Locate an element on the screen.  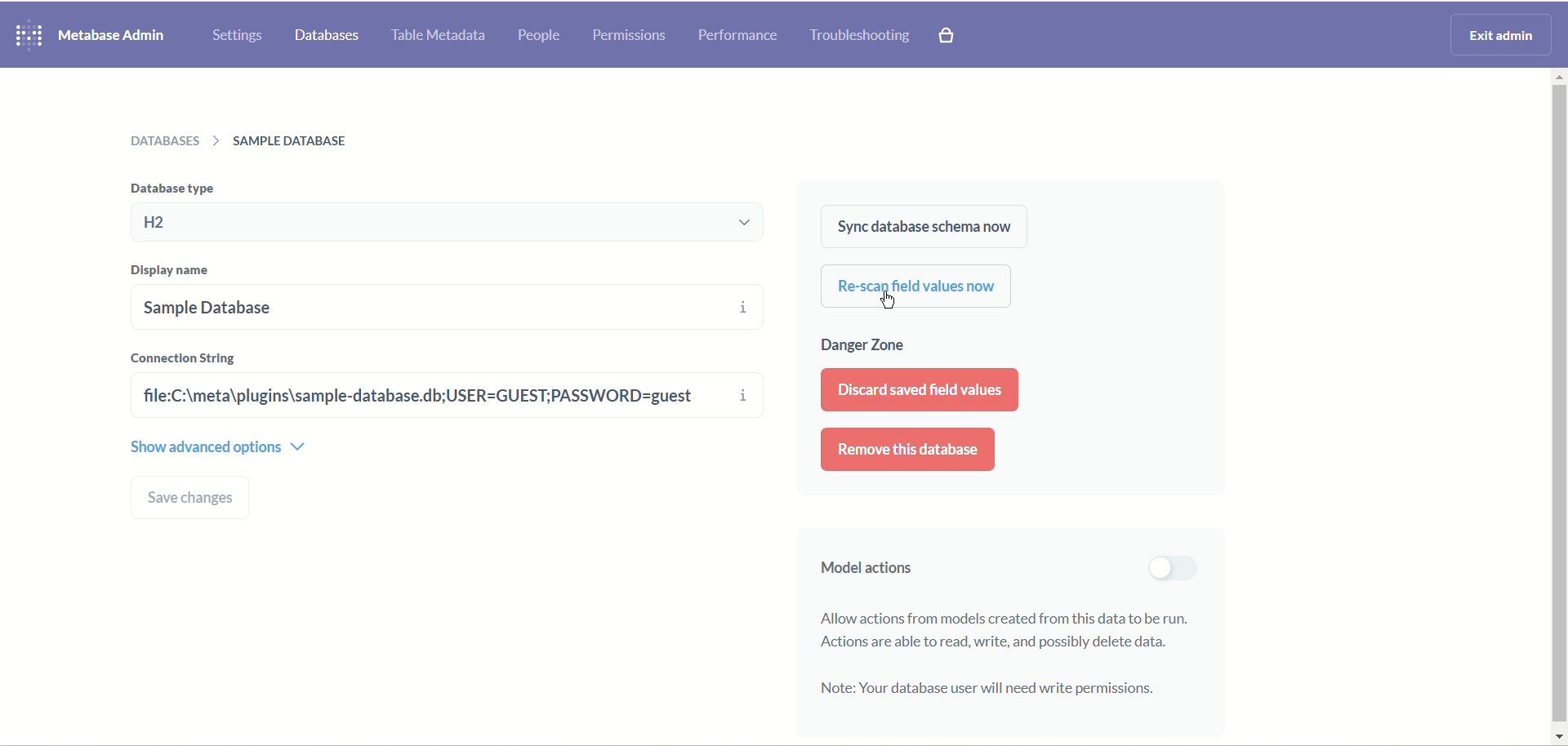
allow actions from models created from this data to be run. Actions are able to read, write and possibly delete data is located at coordinates (1011, 628).